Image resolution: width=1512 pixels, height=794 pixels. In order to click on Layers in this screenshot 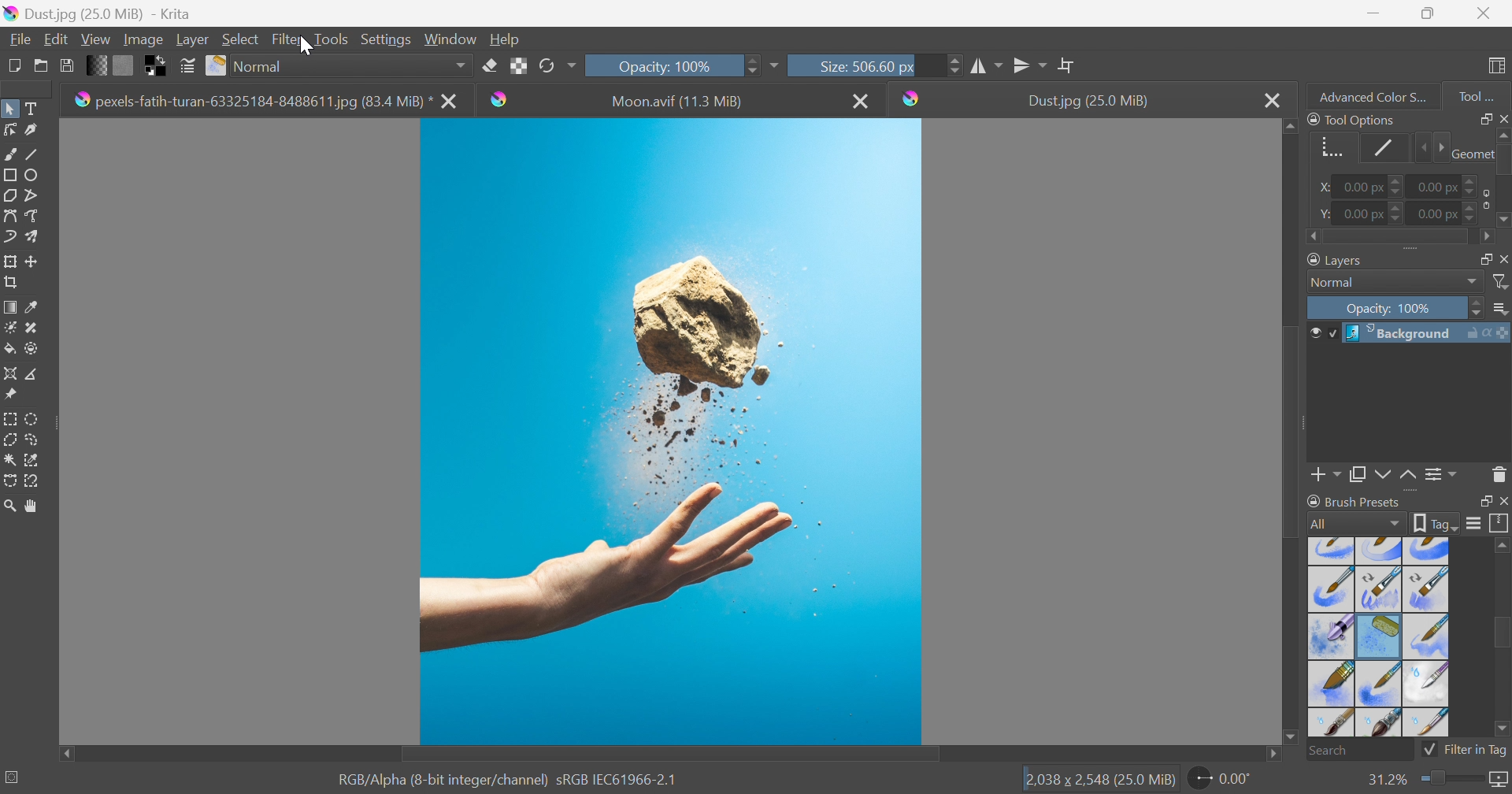, I will do `click(1337, 258)`.